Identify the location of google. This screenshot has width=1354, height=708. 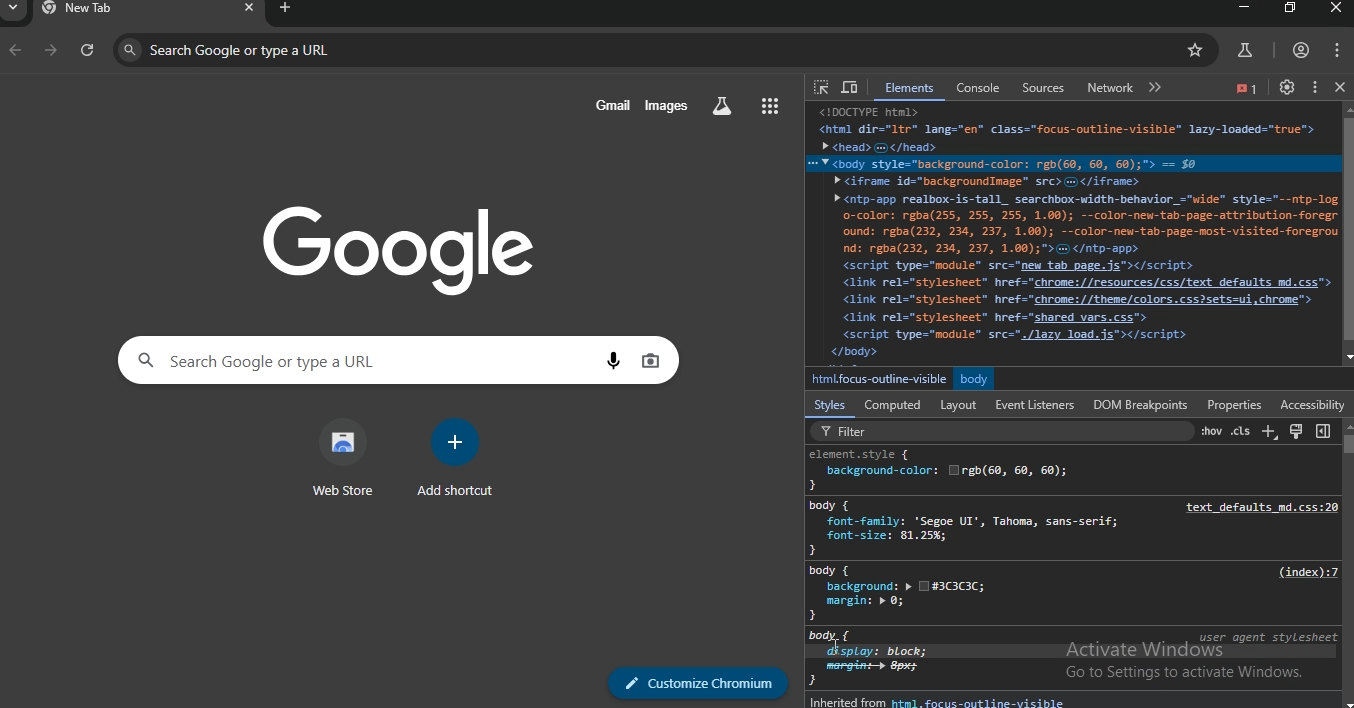
(397, 241).